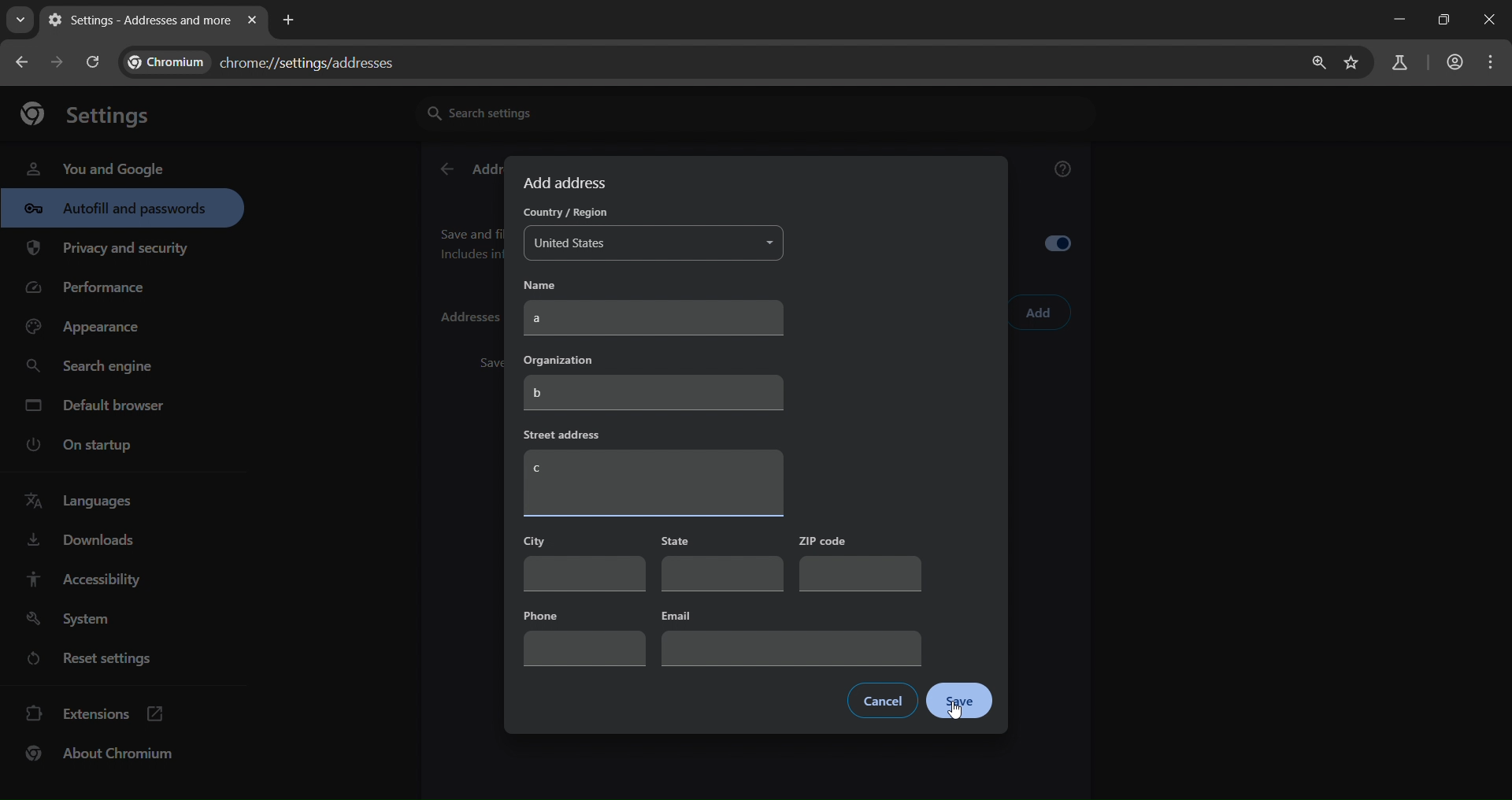 The image size is (1512, 800). What do you see at coordinates (446, 170) in the screenshot?
I see `back` at bounding box center [446, 170].